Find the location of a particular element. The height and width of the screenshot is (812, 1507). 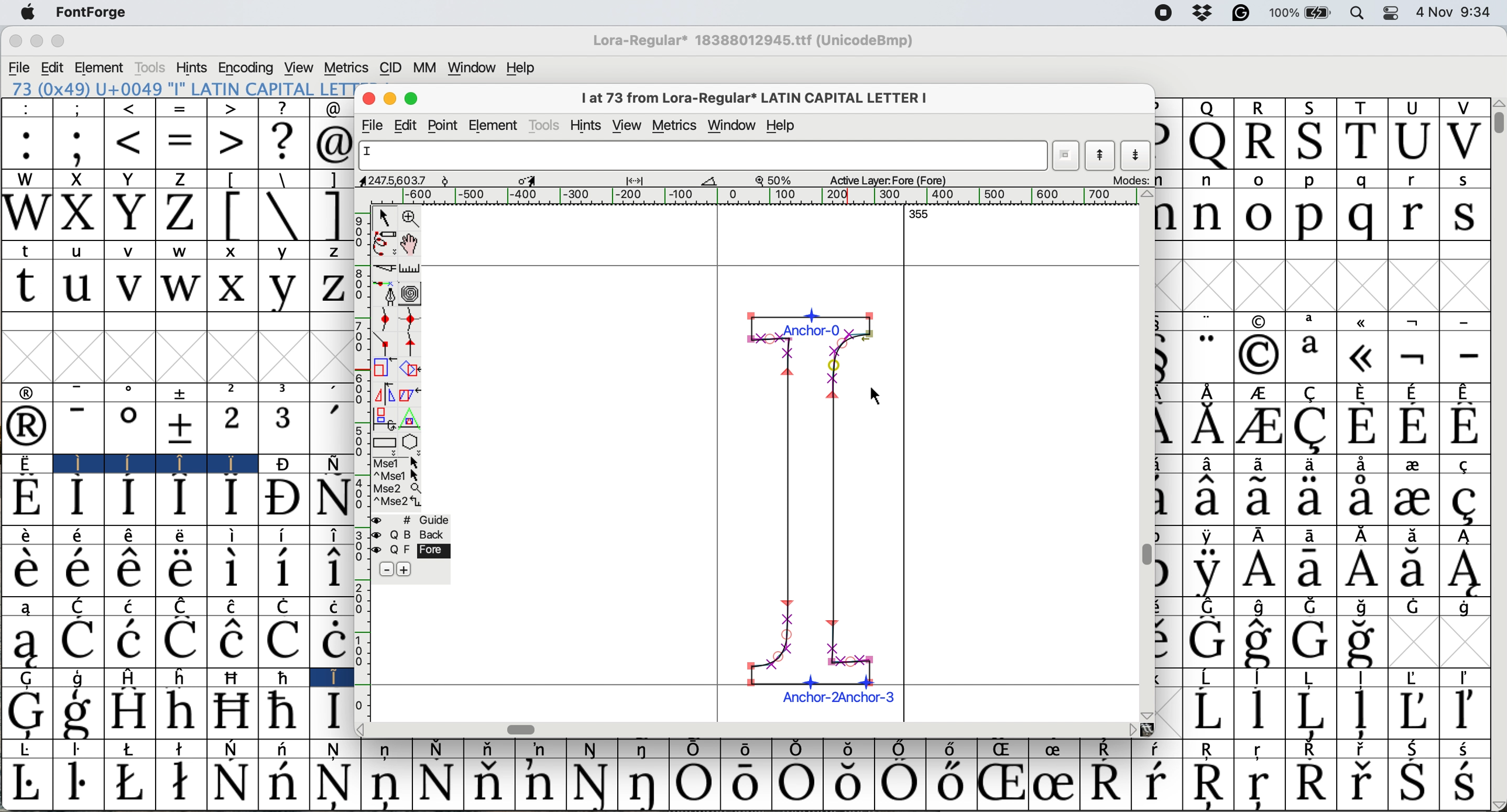

Symbol is located at coordinates (77, 569).